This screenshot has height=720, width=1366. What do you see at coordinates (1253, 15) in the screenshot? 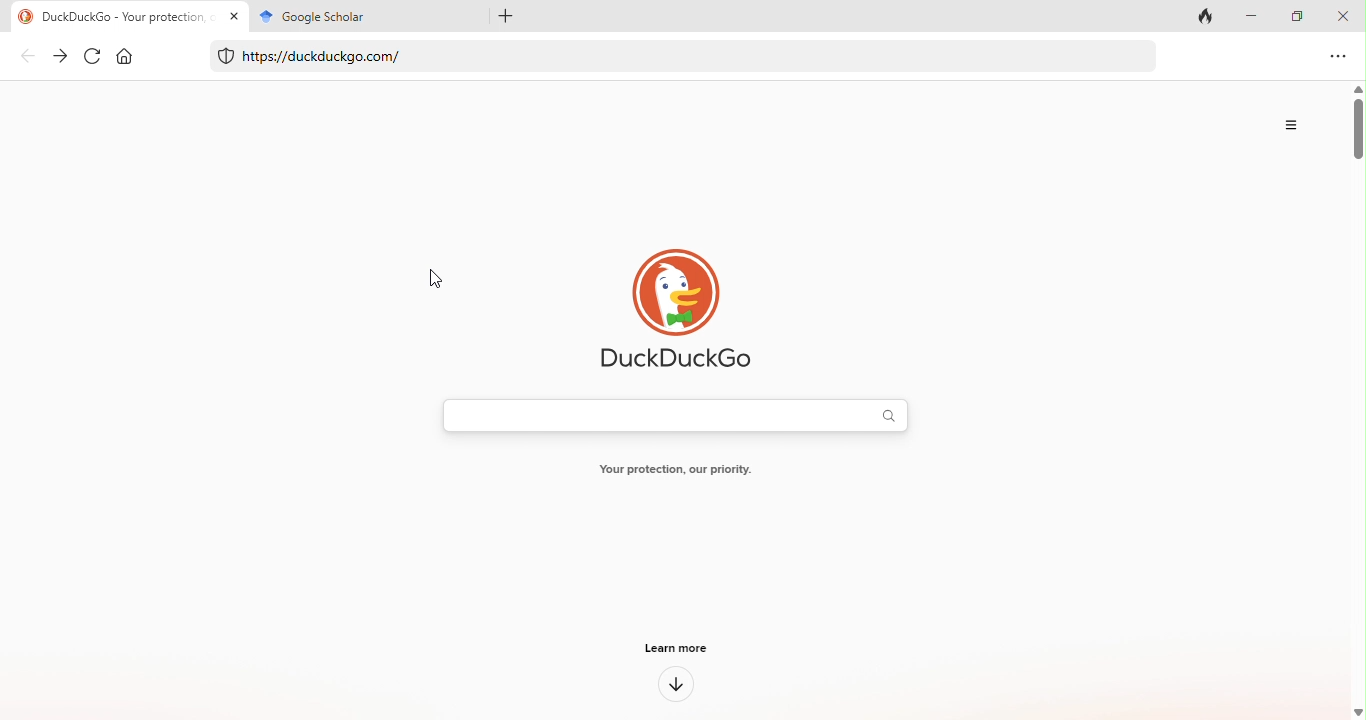
I see `minimize` at bounding box center [1253, 15].